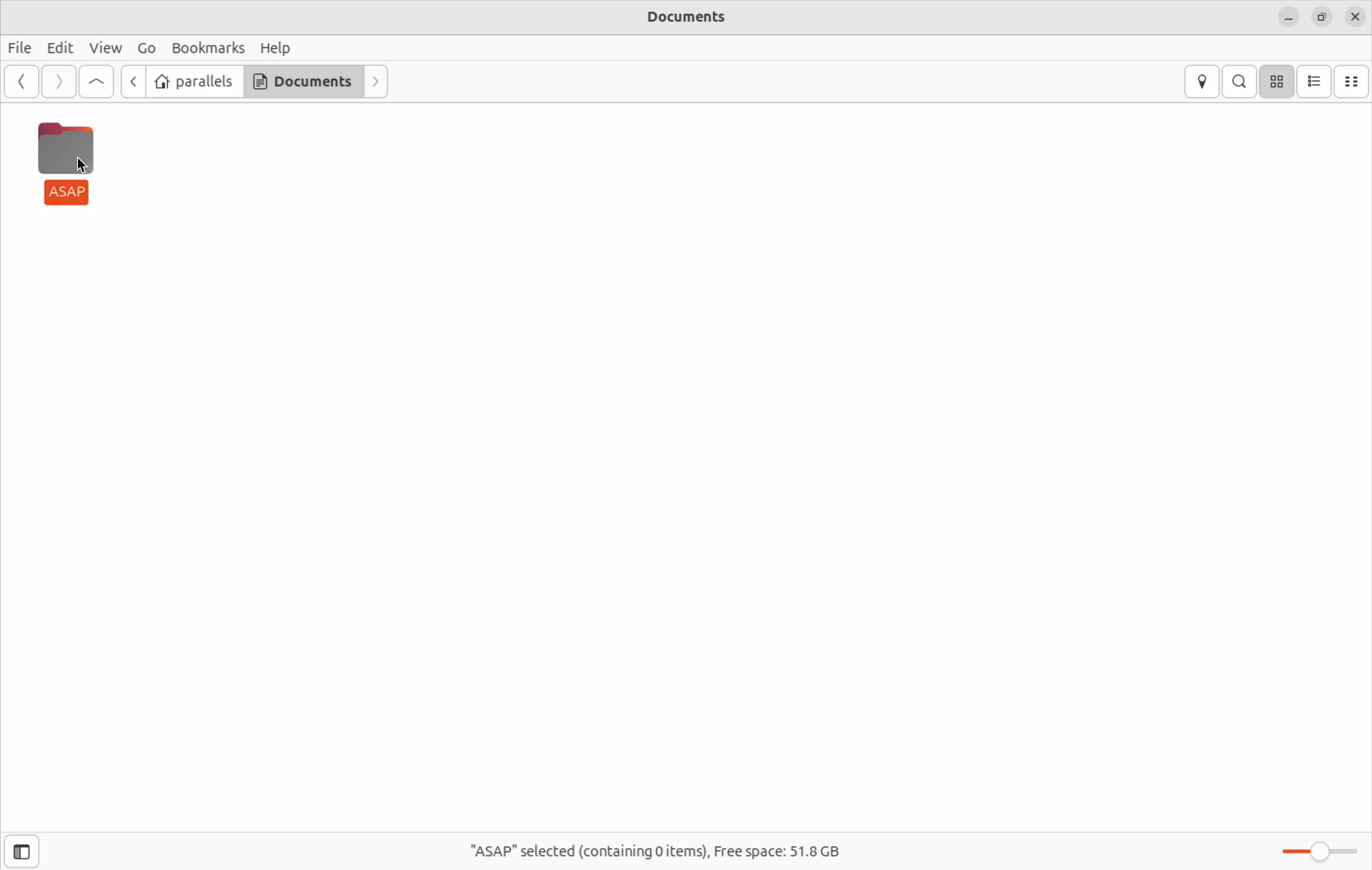 This screenshot has height=870, width=1372. What do you see at coordinates (94, 81) in the screenshot?
I see `go up` at bounding box center [94, 81].